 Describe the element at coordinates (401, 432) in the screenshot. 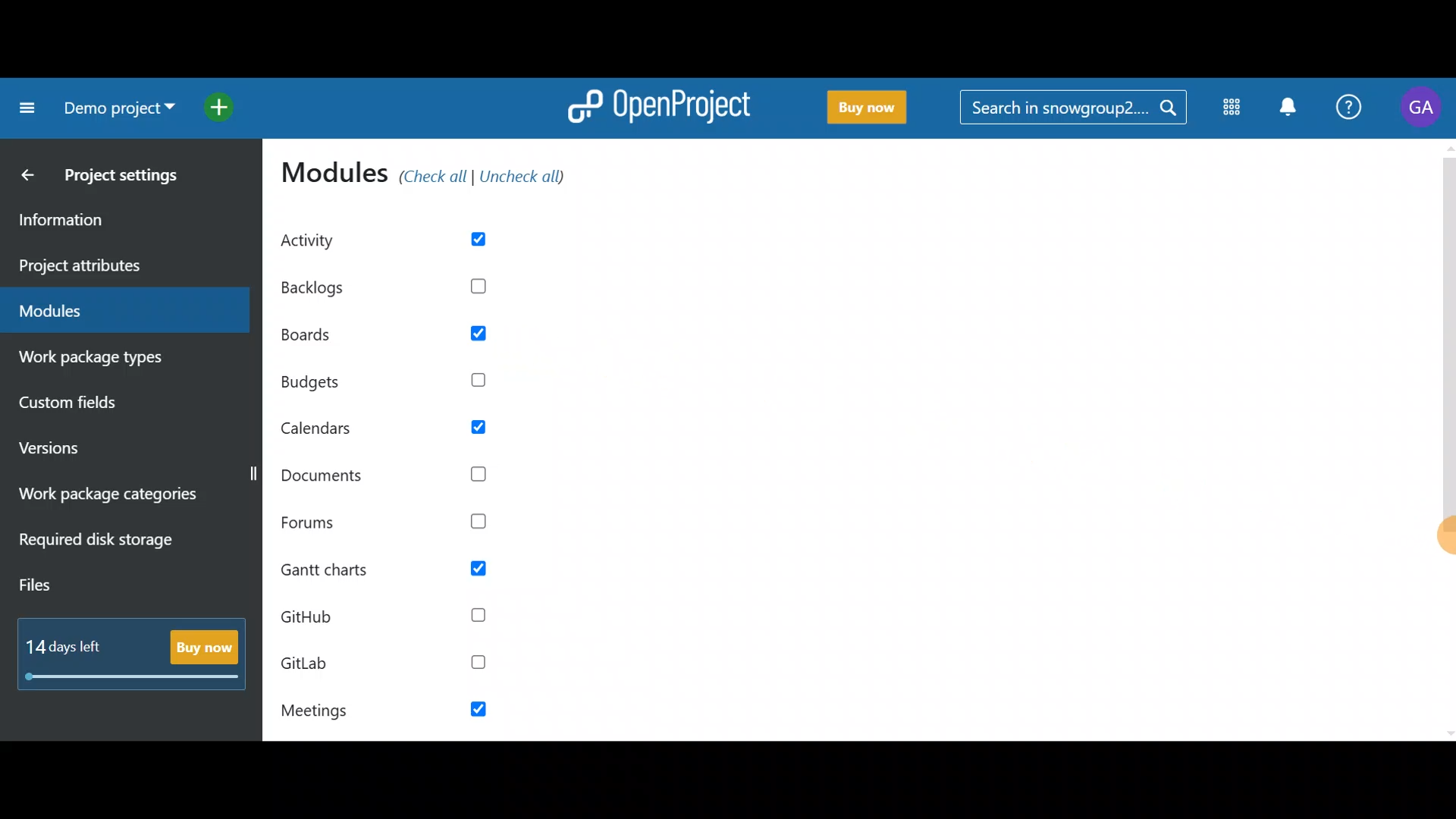

I see `Calendars` at that location.